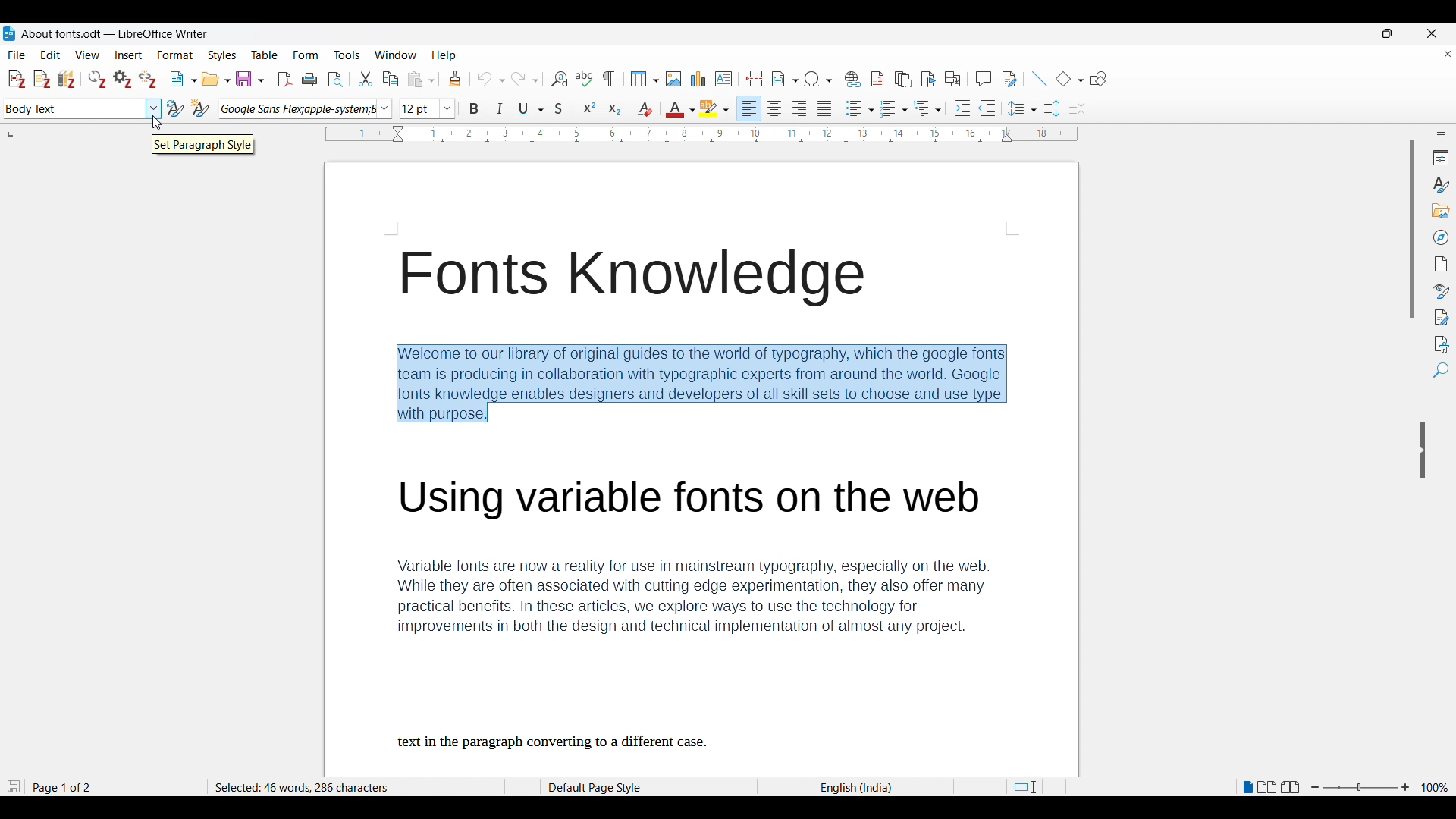  I want to click on Toggle formatting marks, so click(609, 79).